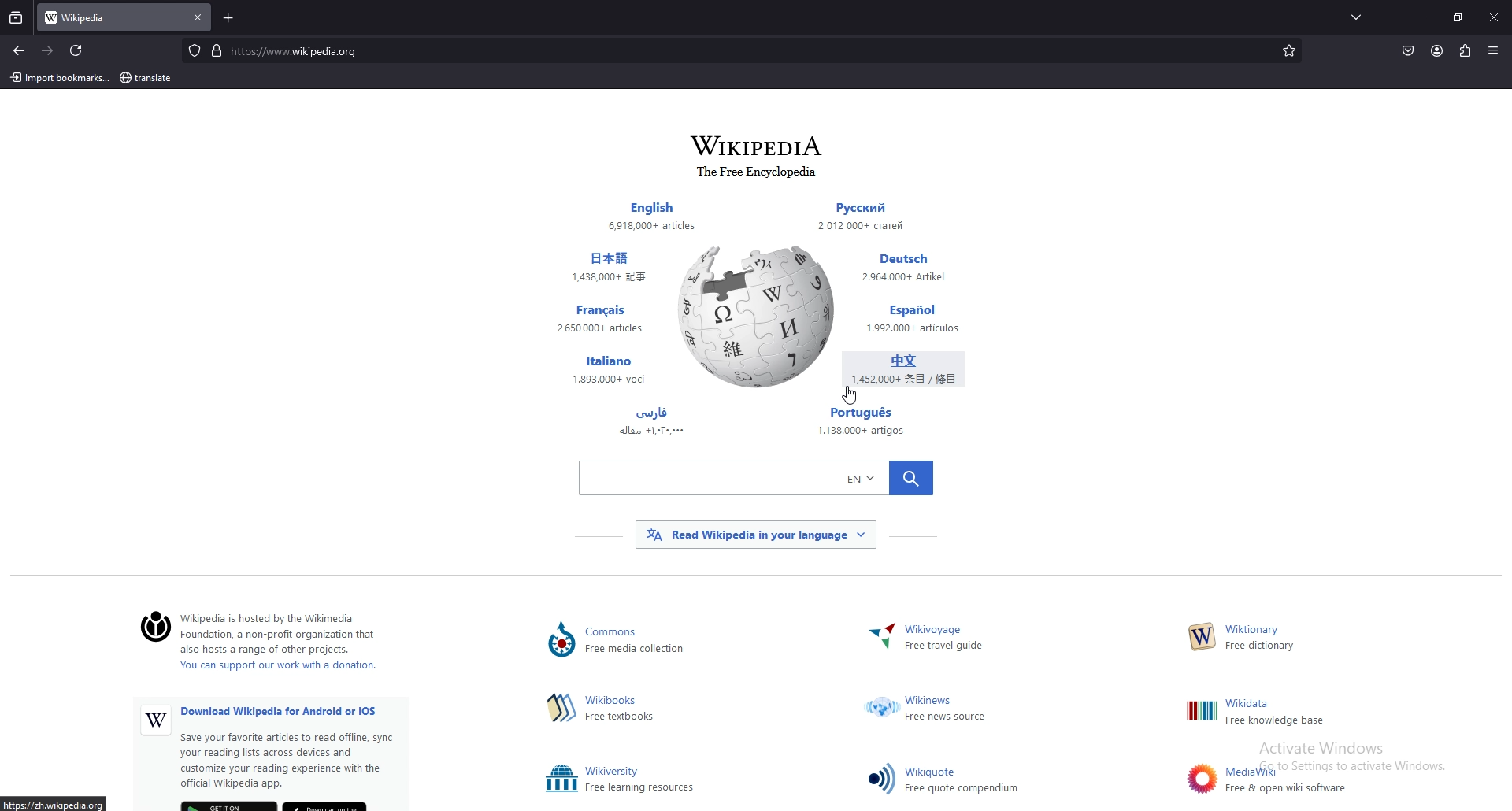 The height and width of the screenshot is (811, 1512). I want to click on , so click(1288, 780).